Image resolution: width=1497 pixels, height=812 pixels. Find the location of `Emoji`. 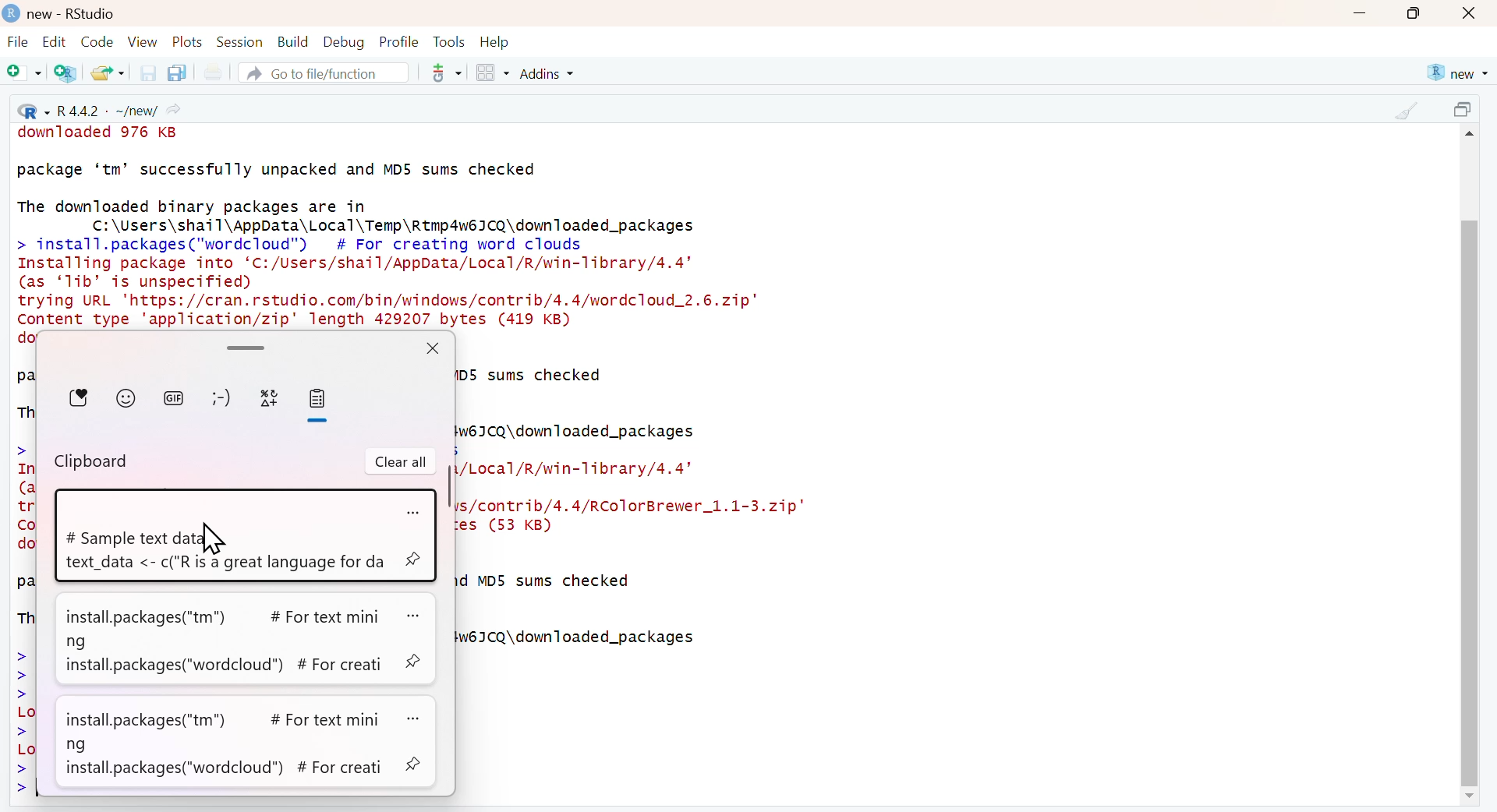

Emoji is located at coordinates (126, 397).